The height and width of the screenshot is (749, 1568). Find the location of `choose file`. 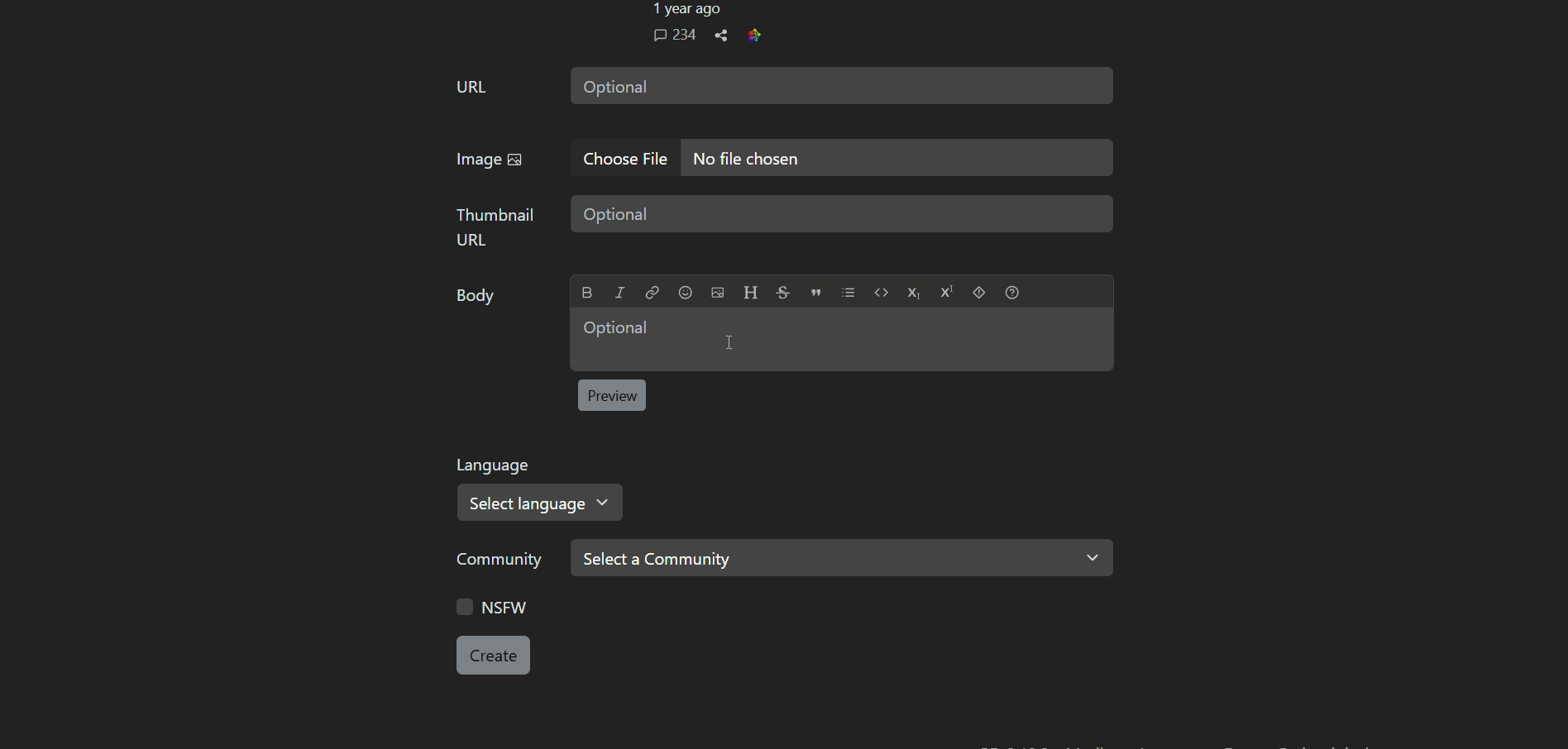

choose file is located at coordinates (621, 158).